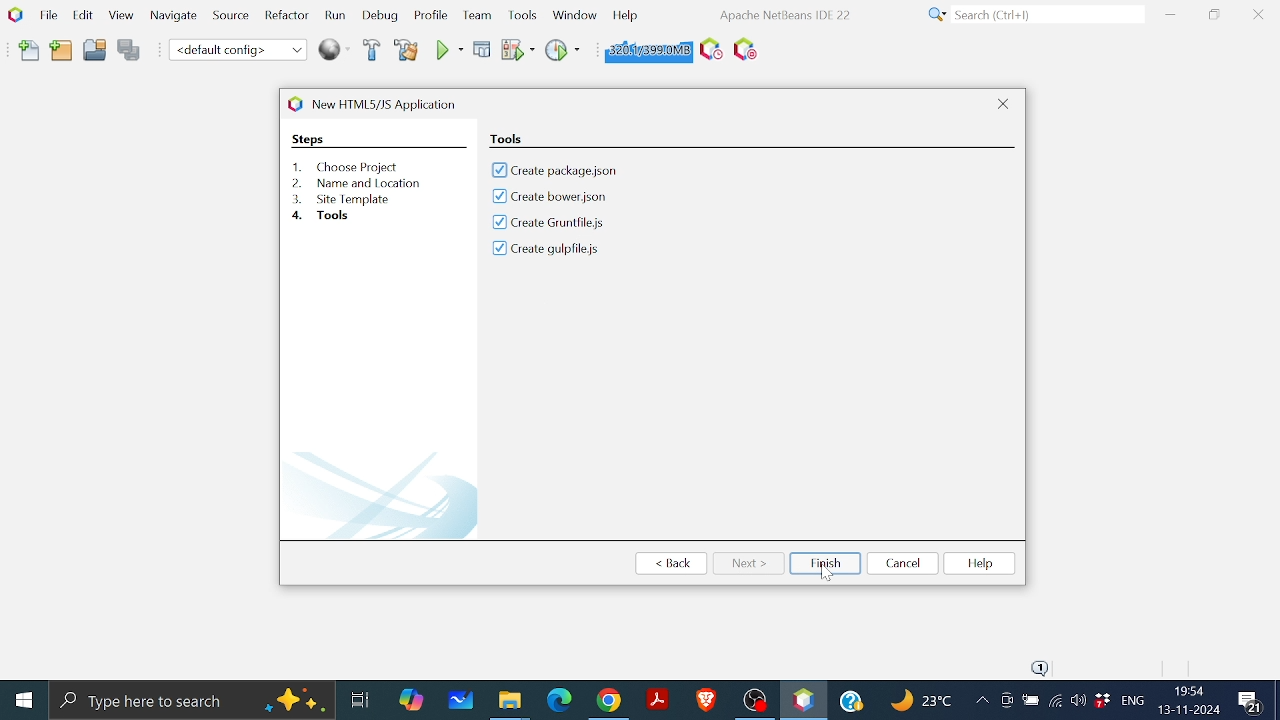  Describe the element at coordinates (611, 700) in the screenshot. I see `Google chrome` at that location.